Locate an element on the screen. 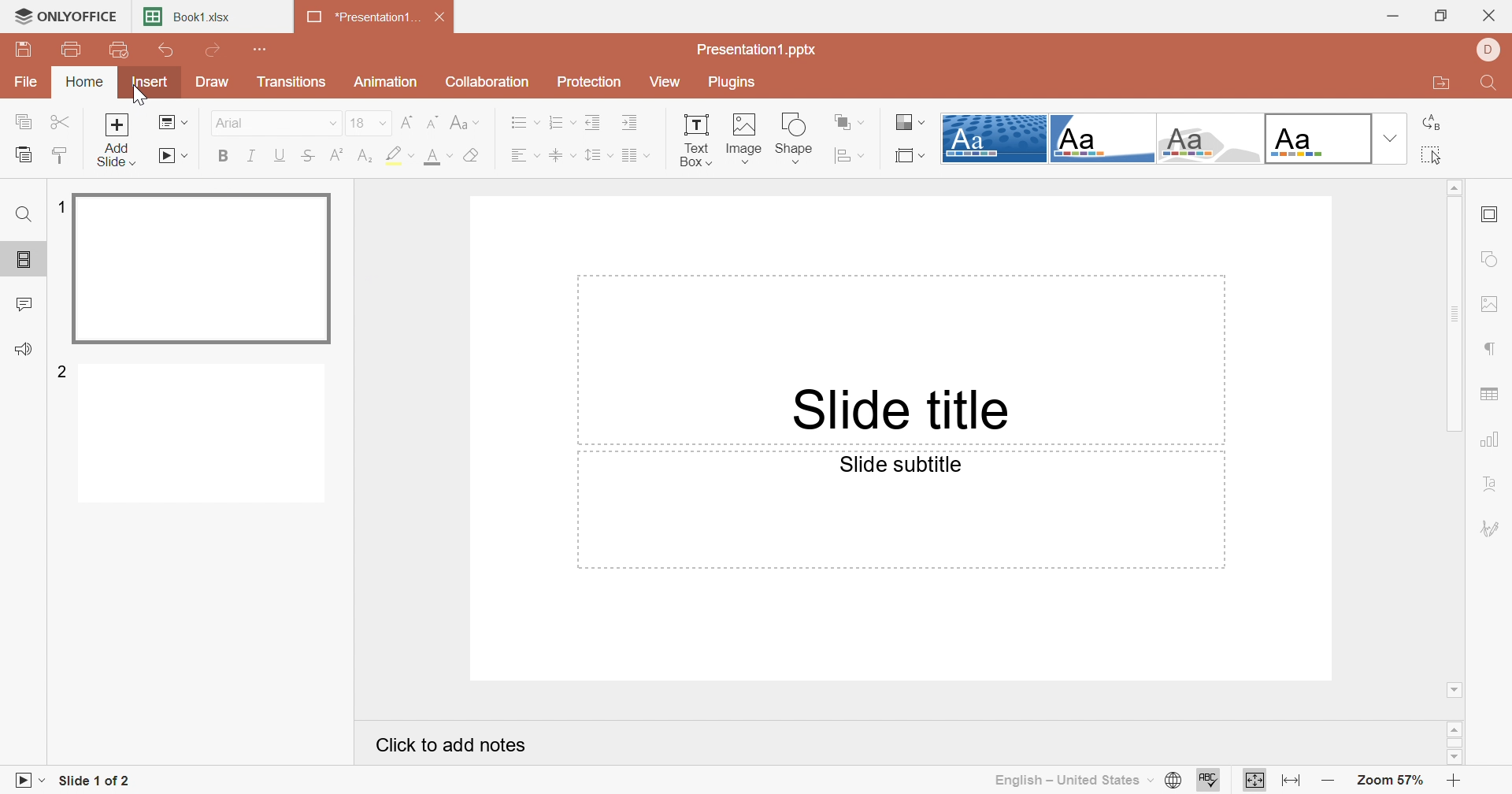 The width and height of the screenshot is (1512, 794). Open file location is located at coordinates (1440, 85).